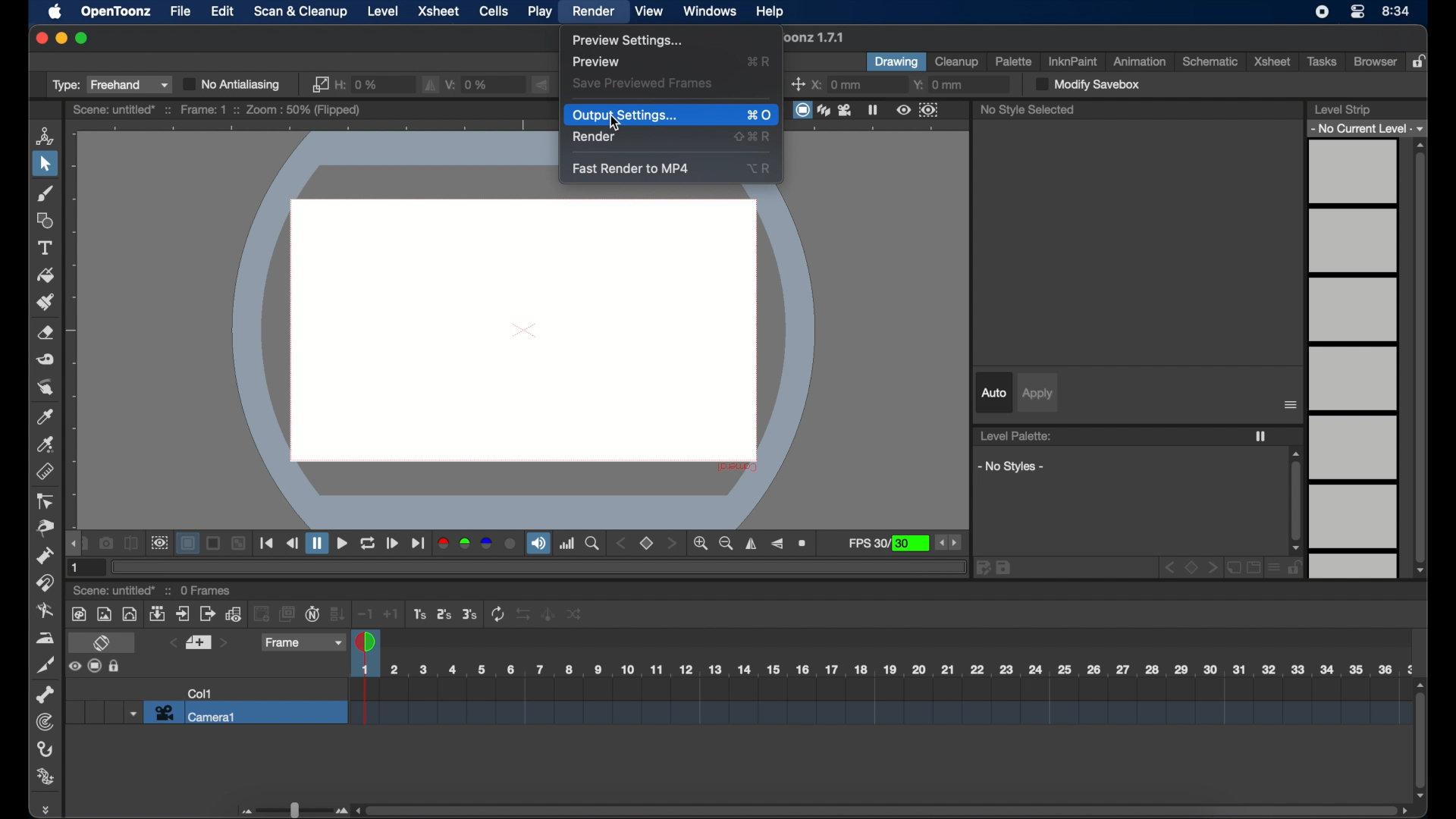  What do you see at coordinates (879, 703) in the screenshot?
I see `scene` at bounding box center [879, 703].